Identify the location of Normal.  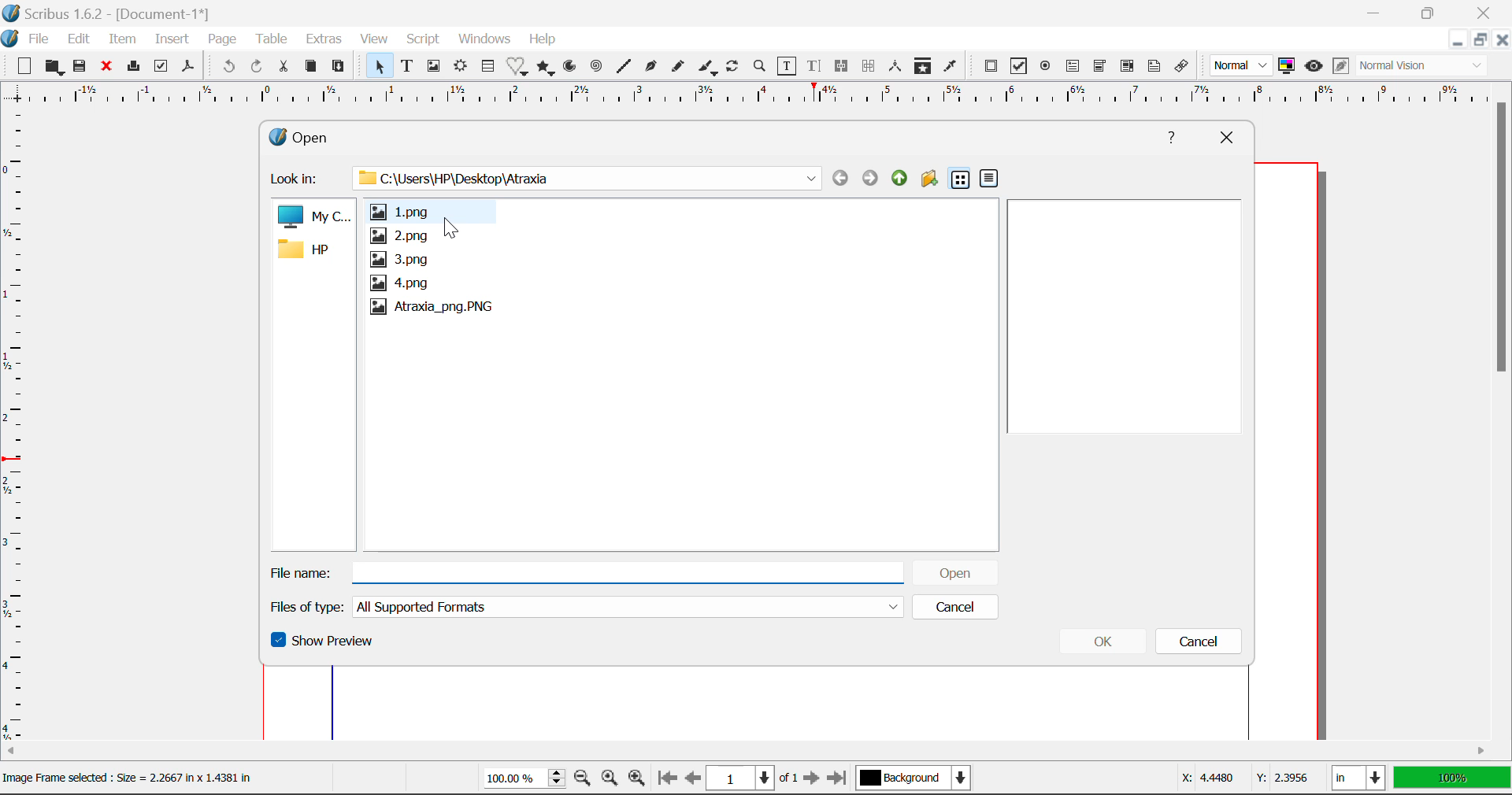
(1243, 65).